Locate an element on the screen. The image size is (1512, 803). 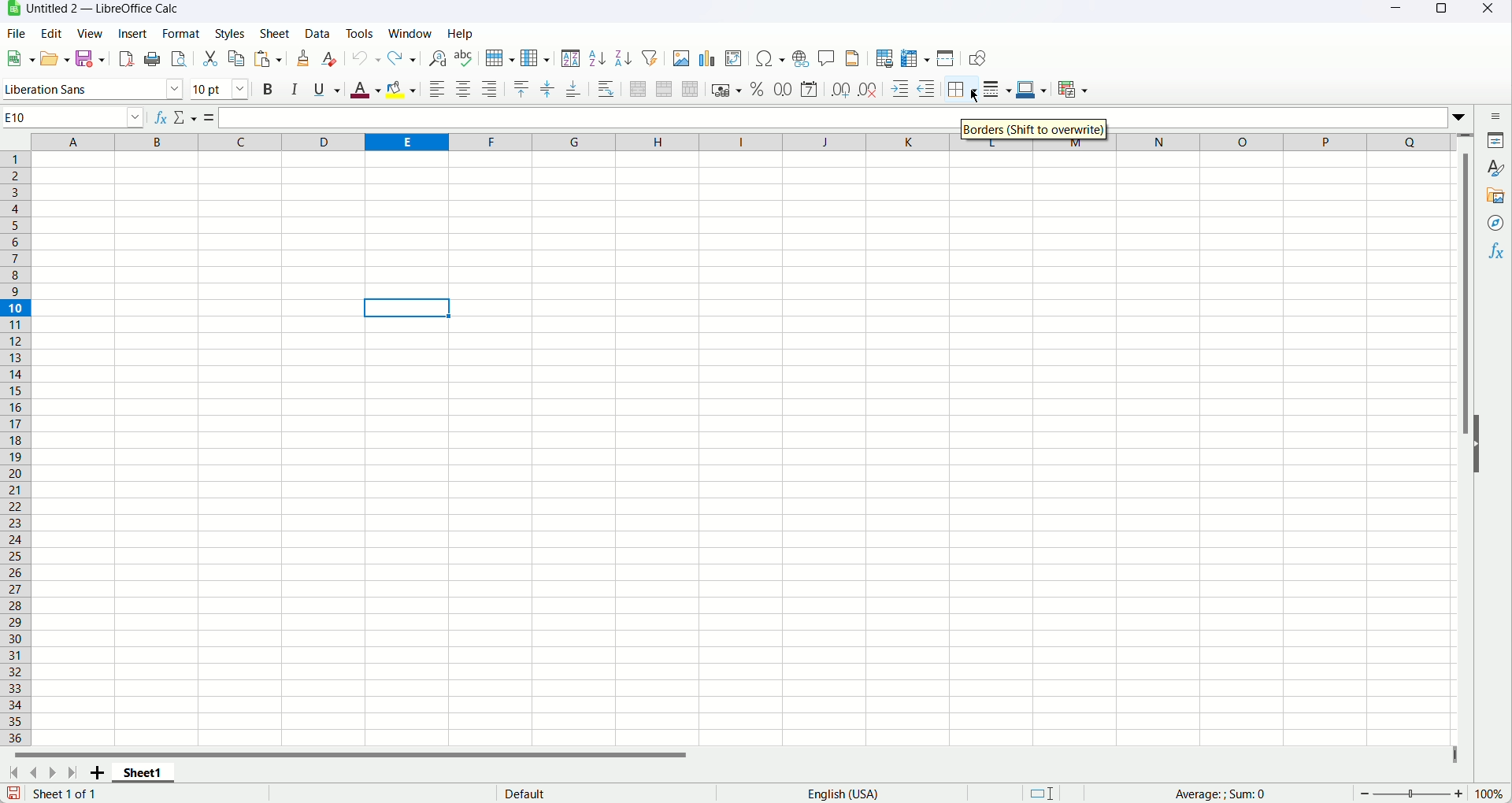
Horizontal scroll bar is located at coordinates (372, 757).